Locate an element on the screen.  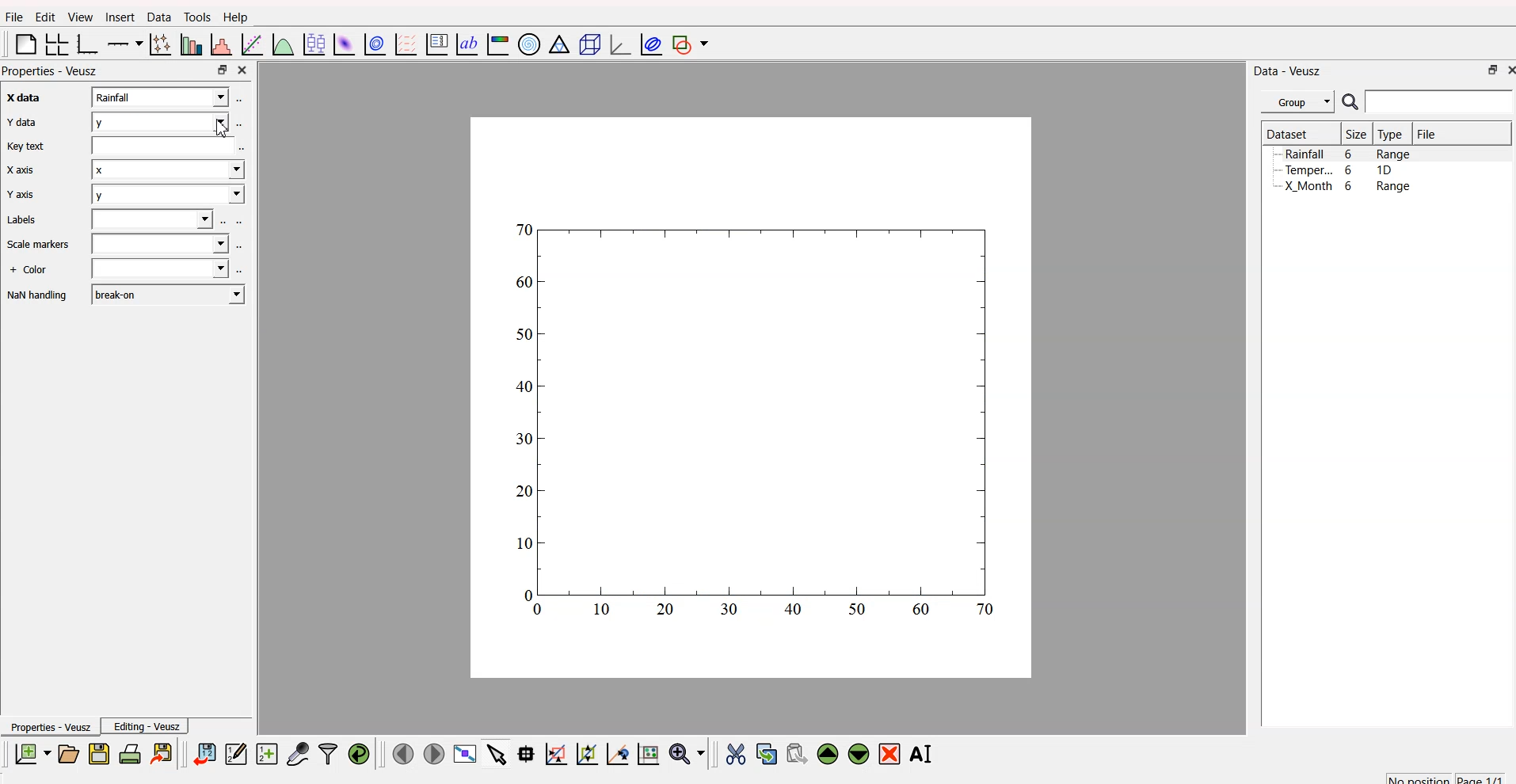
Insert is located at coordinates (119, 17).